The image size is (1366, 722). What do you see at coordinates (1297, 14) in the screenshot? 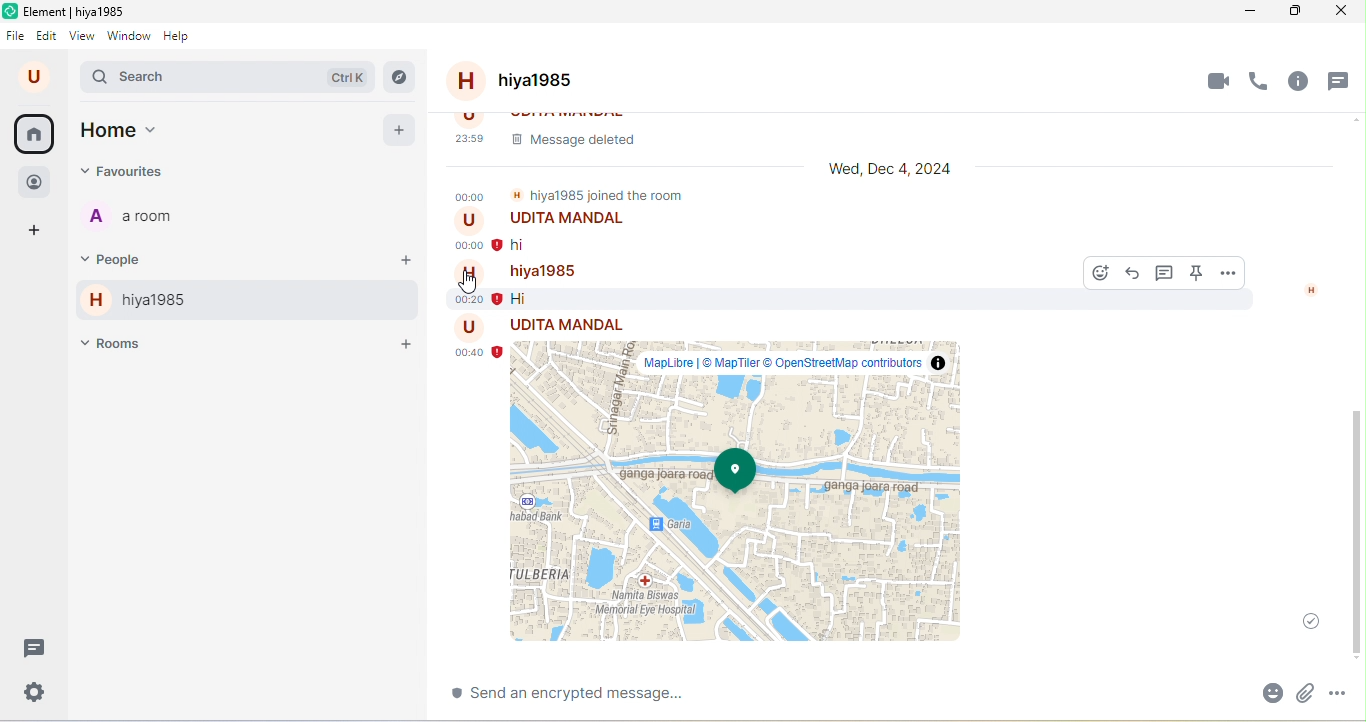
I see `maximize` at bounding box center [1297, 14].